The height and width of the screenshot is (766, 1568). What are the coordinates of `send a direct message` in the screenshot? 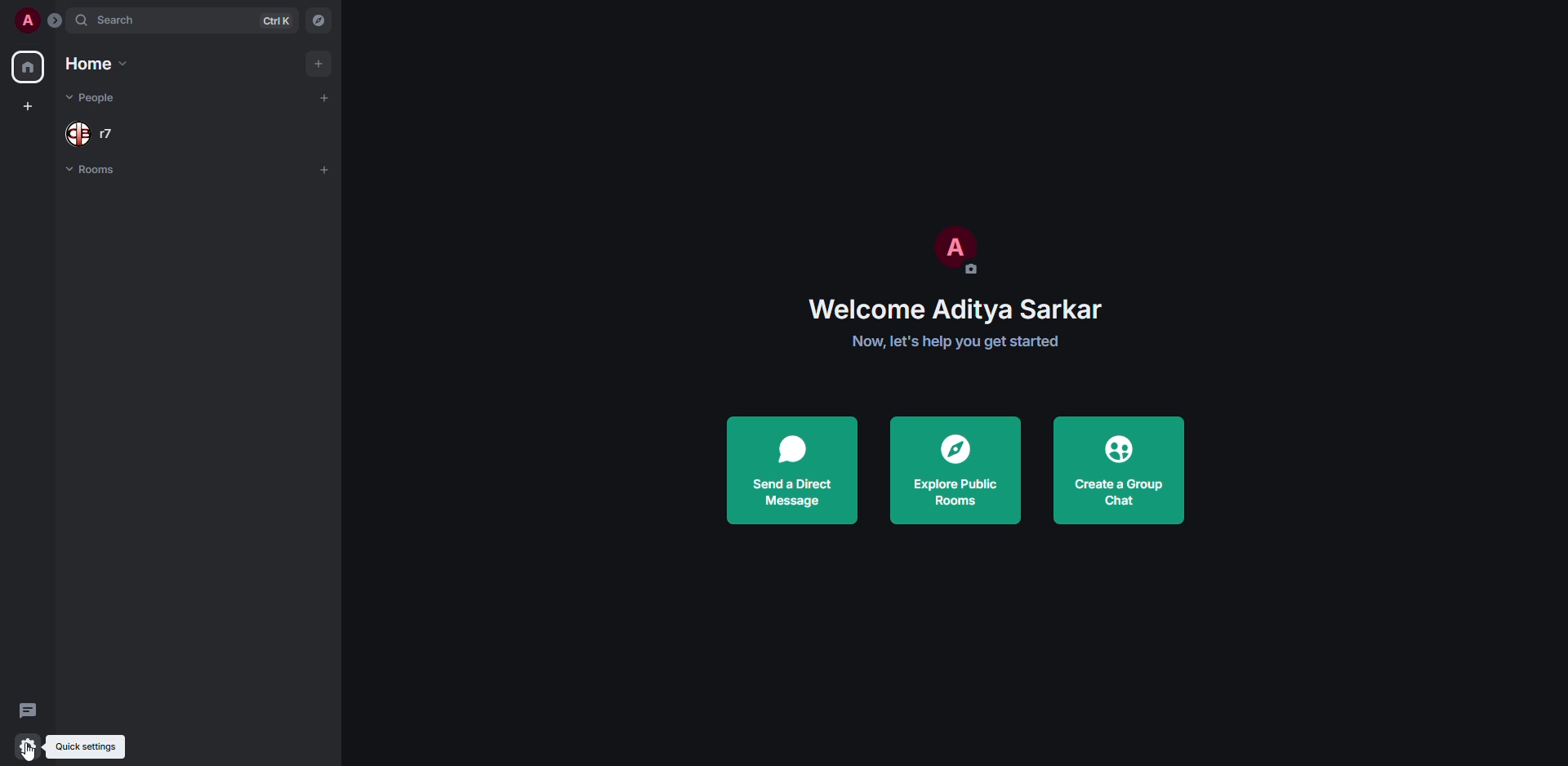 It's located at (791, 470).